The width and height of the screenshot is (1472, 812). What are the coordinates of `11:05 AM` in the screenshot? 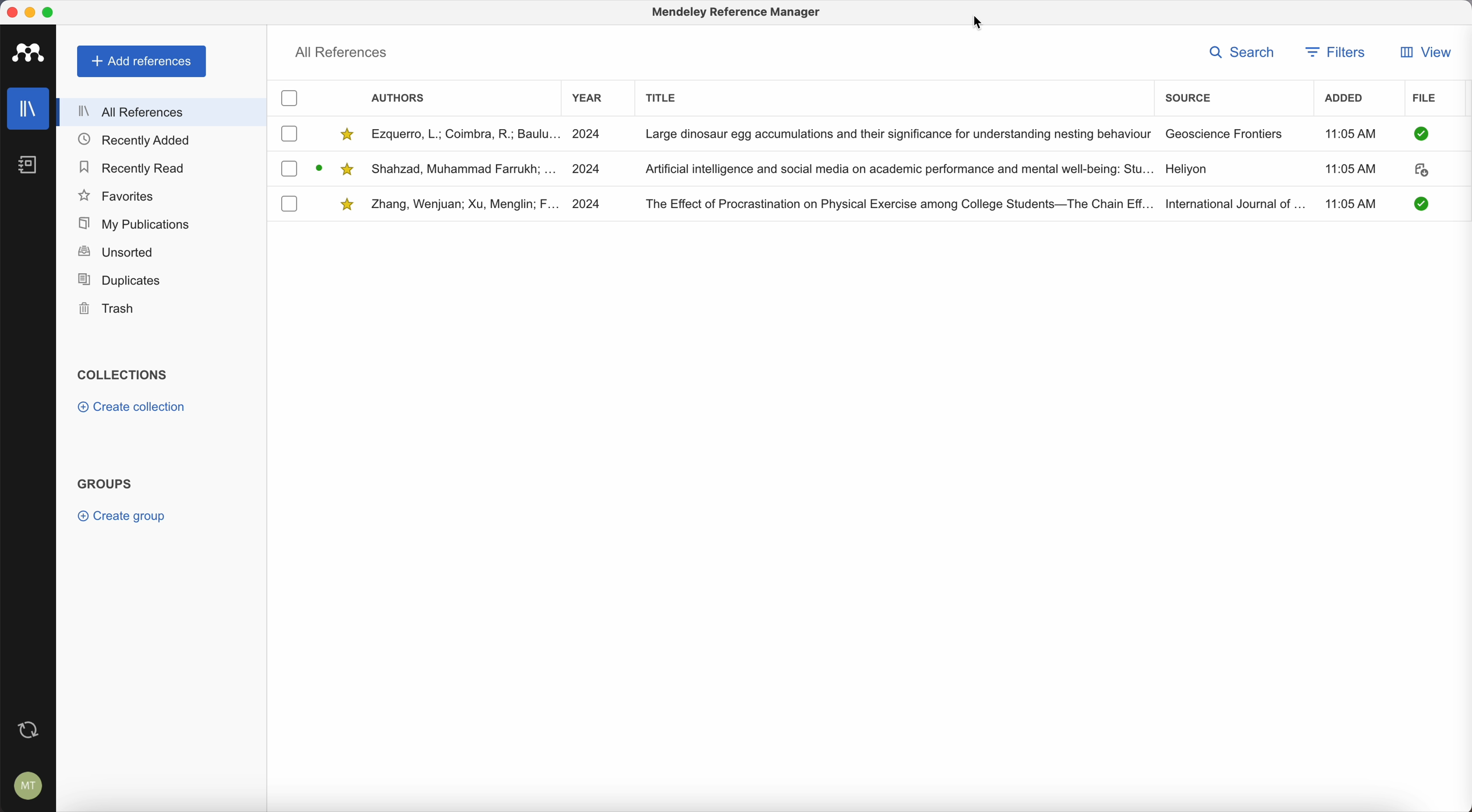 It's located at (1354, 202).